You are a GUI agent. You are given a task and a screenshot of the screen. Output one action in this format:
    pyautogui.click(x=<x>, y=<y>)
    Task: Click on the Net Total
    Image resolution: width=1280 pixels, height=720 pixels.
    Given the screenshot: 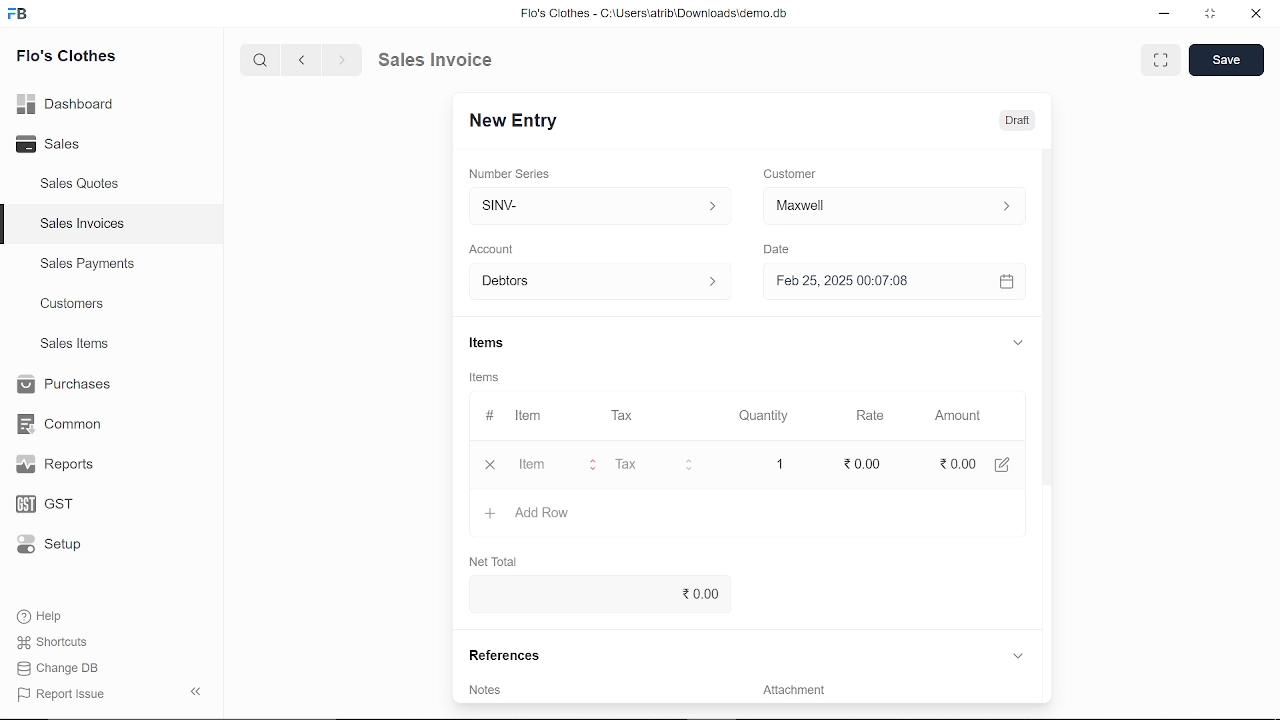 What is the action you would take?
    pyautogui.click(x=498, y=561)
    